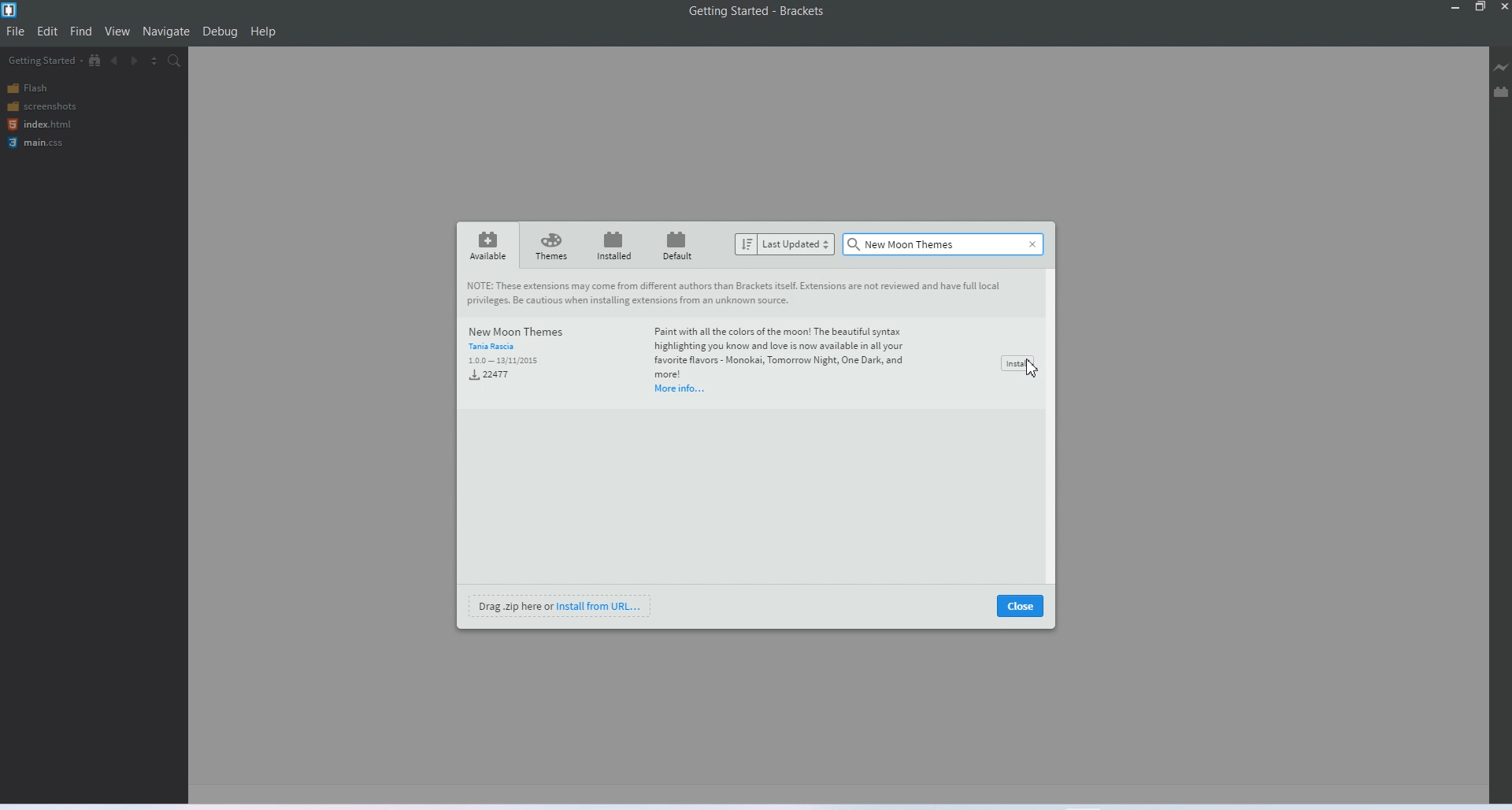  I want to click on Show in file tree, so click(96, 60).